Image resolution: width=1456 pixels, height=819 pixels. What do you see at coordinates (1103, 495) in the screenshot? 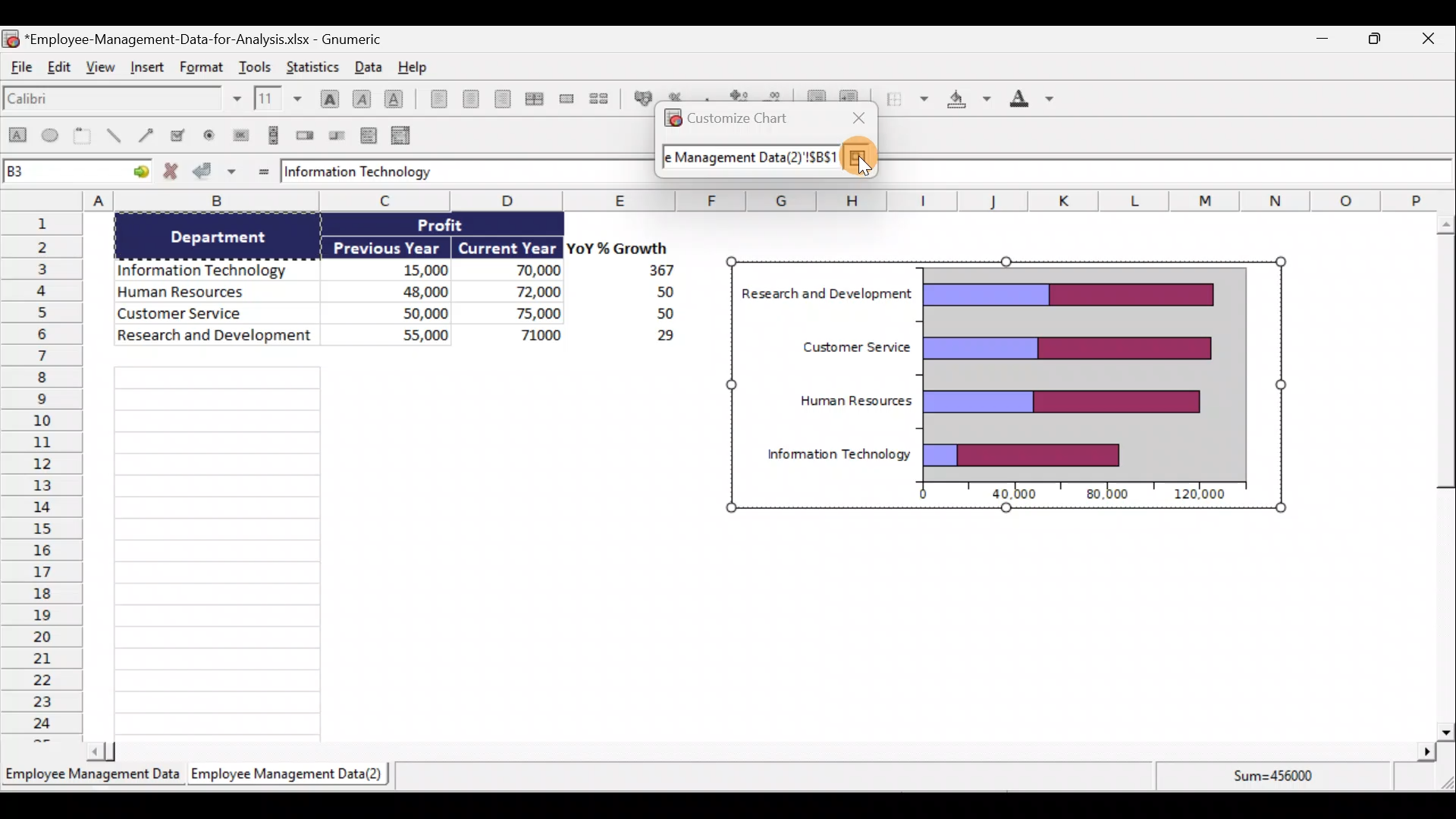
I see `80.000` at bounding box center [1103, 495].